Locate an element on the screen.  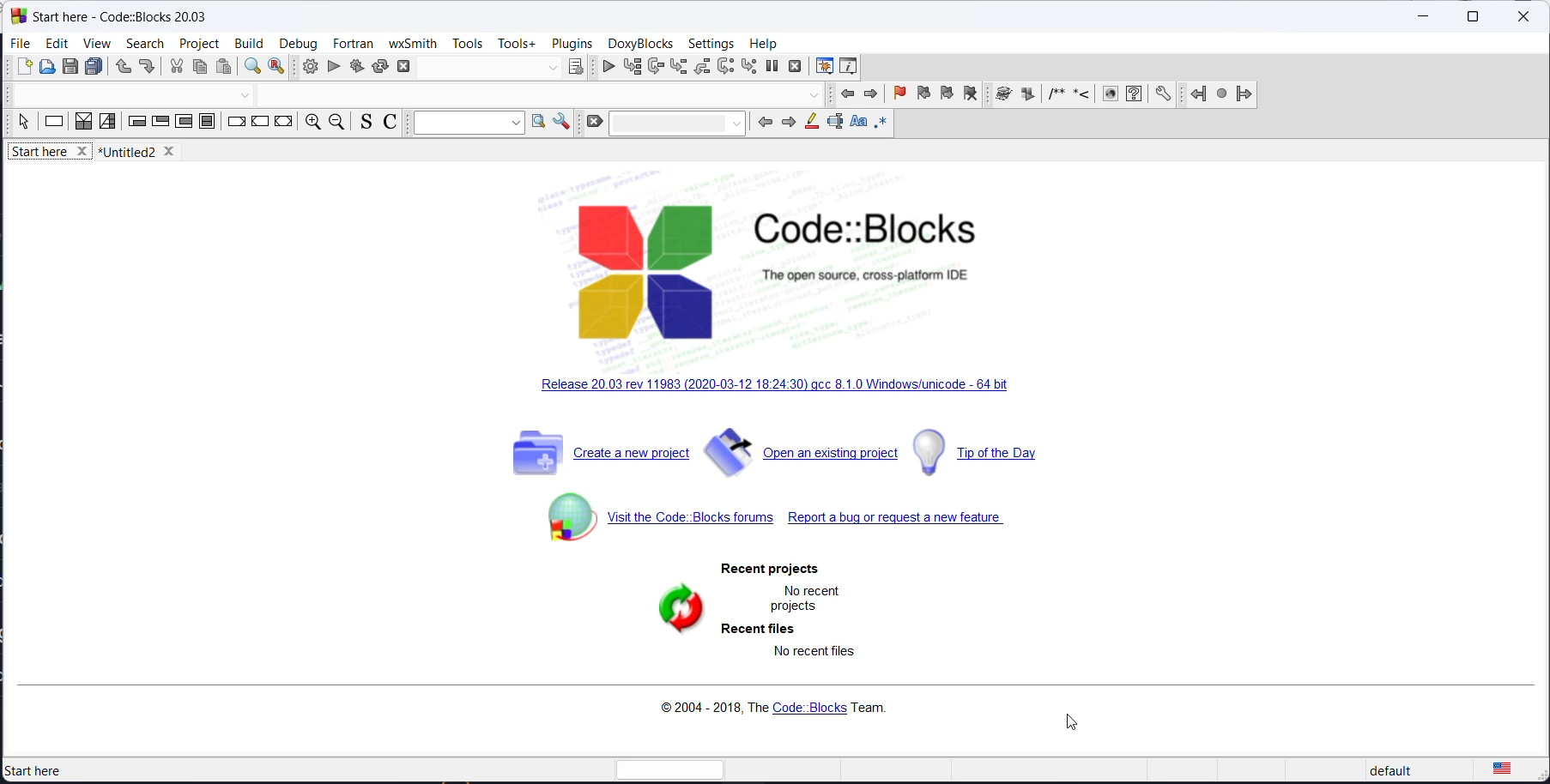
no recent files is located at coordinates (809, 657).